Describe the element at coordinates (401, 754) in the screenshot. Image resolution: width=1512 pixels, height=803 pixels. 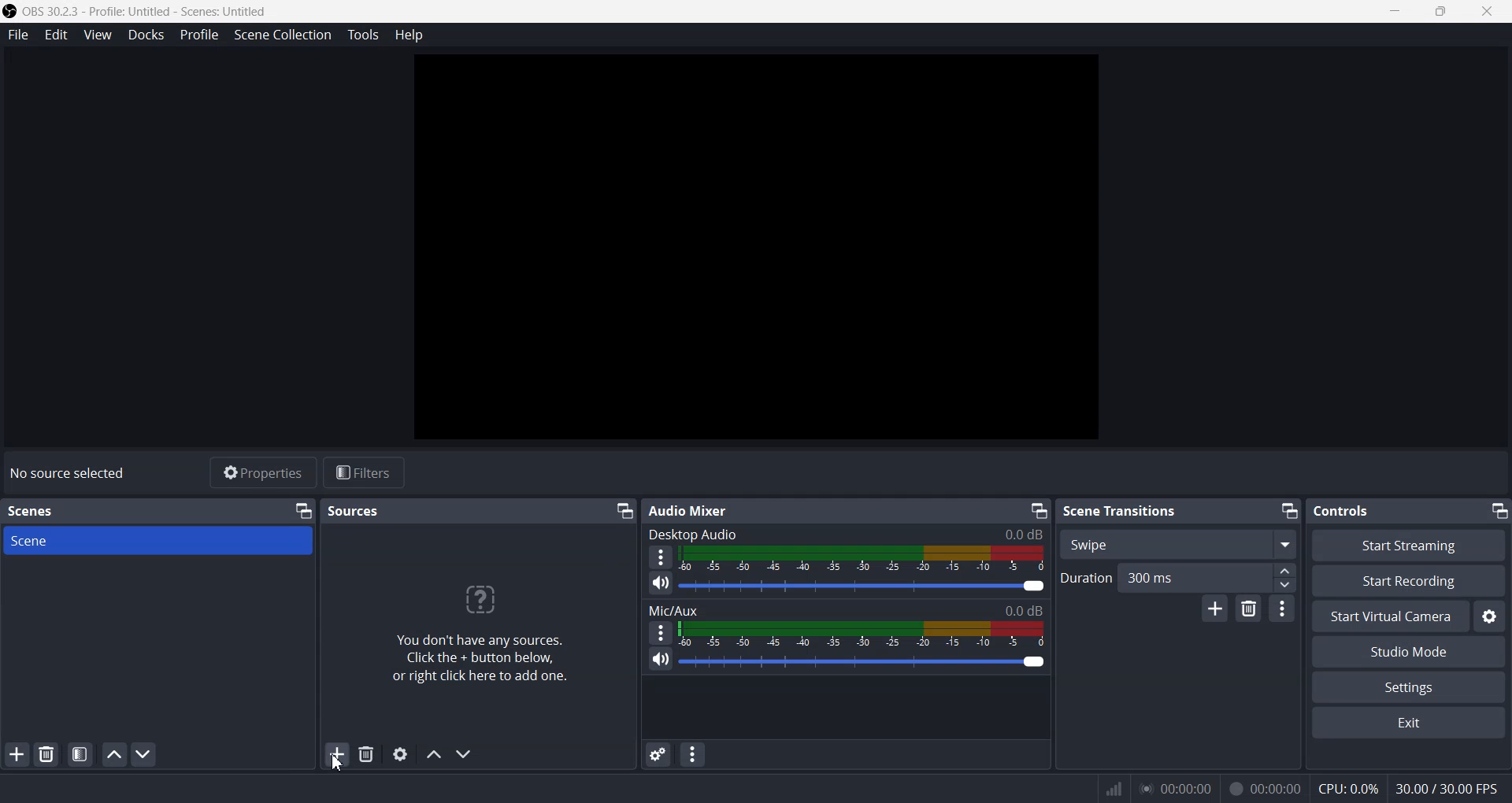
I see `Open Sources Properties` at that location.